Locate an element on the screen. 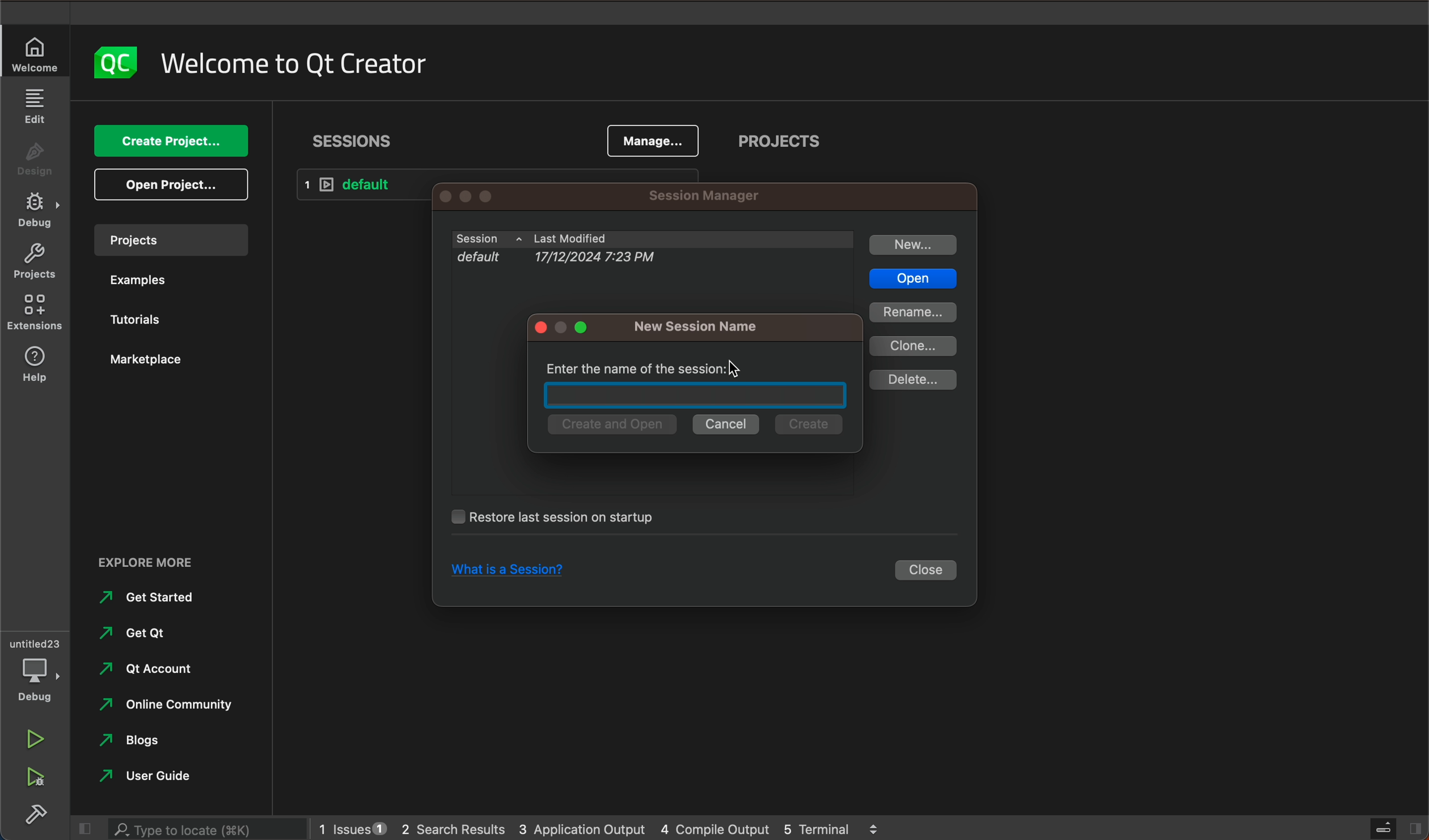  what is session? is located at coordinates (502, 571).